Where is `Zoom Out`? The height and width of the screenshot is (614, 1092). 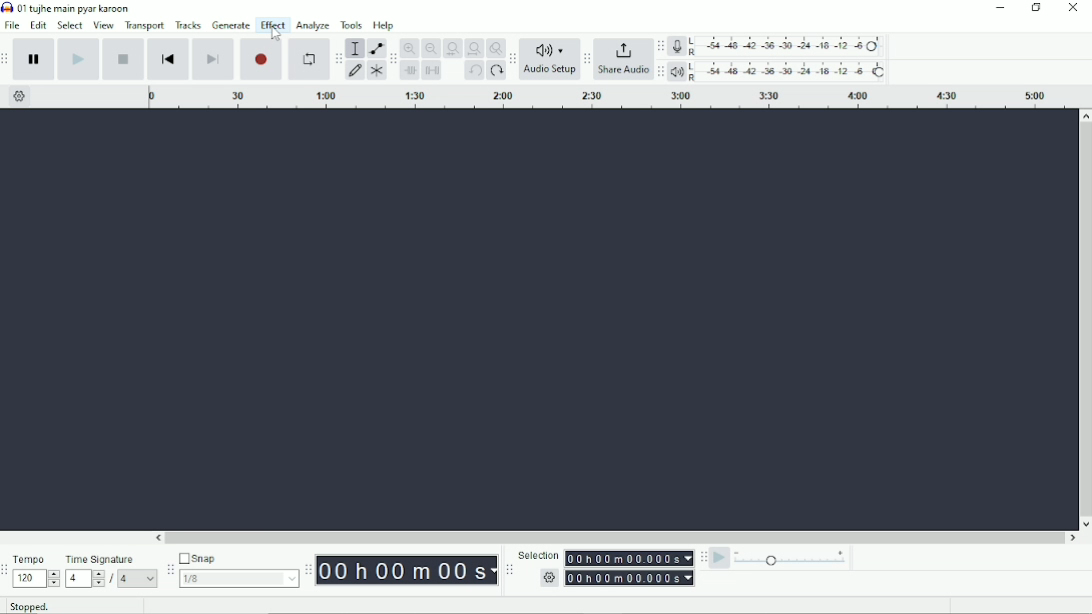
Zoom Out is located at coordinates (430, 47).